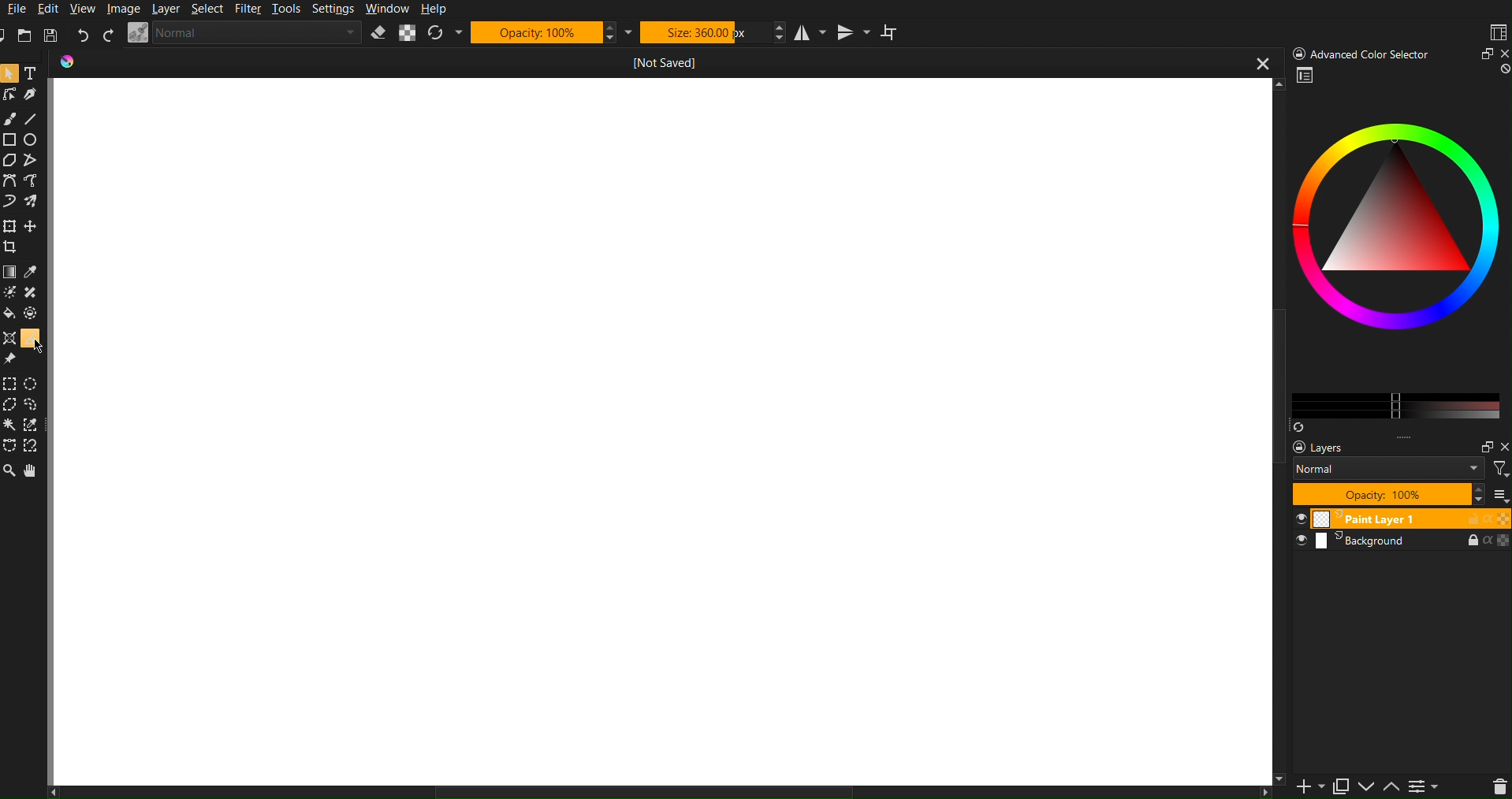  Describe the element at coordinates (11, 313) in the screenshot. I see `Fill` at that location.